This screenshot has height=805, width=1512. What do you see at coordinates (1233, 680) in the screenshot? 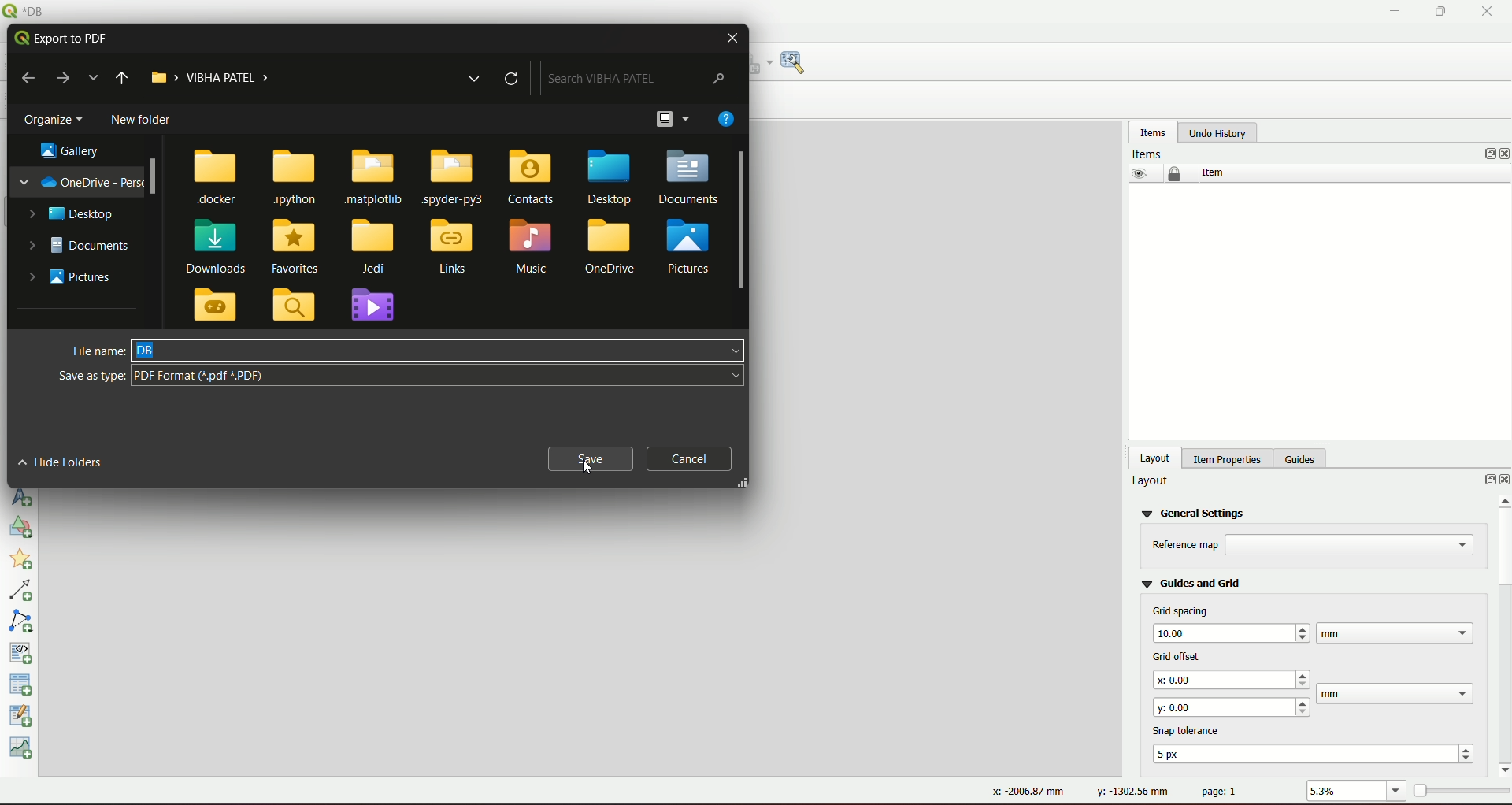
I see `text box` at bounding box center [1233, 680].